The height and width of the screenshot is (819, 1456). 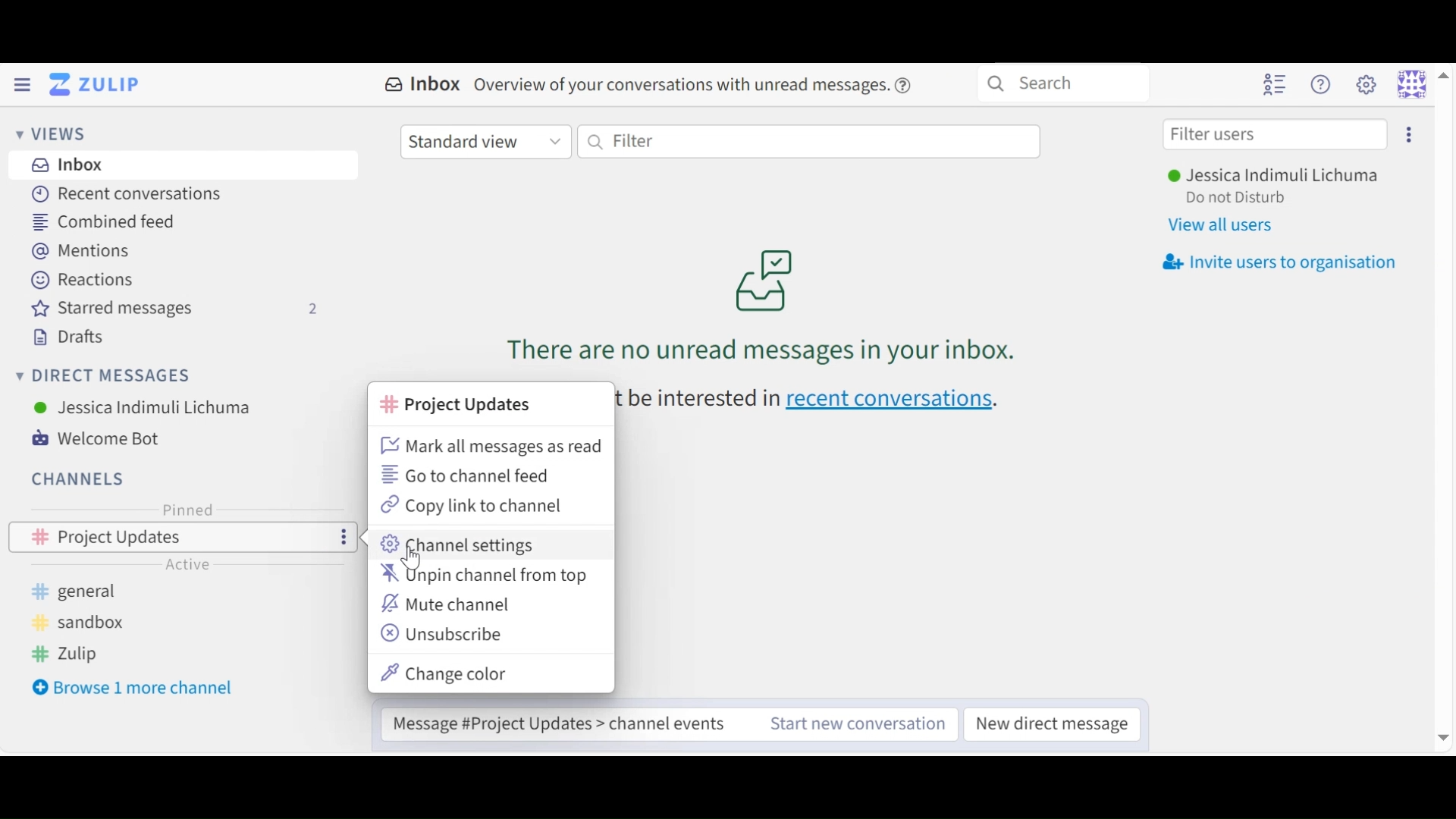 What do you see at coordinates (49, 134) in the screenshot?
I see `Views` at bounding box center [49, 134].